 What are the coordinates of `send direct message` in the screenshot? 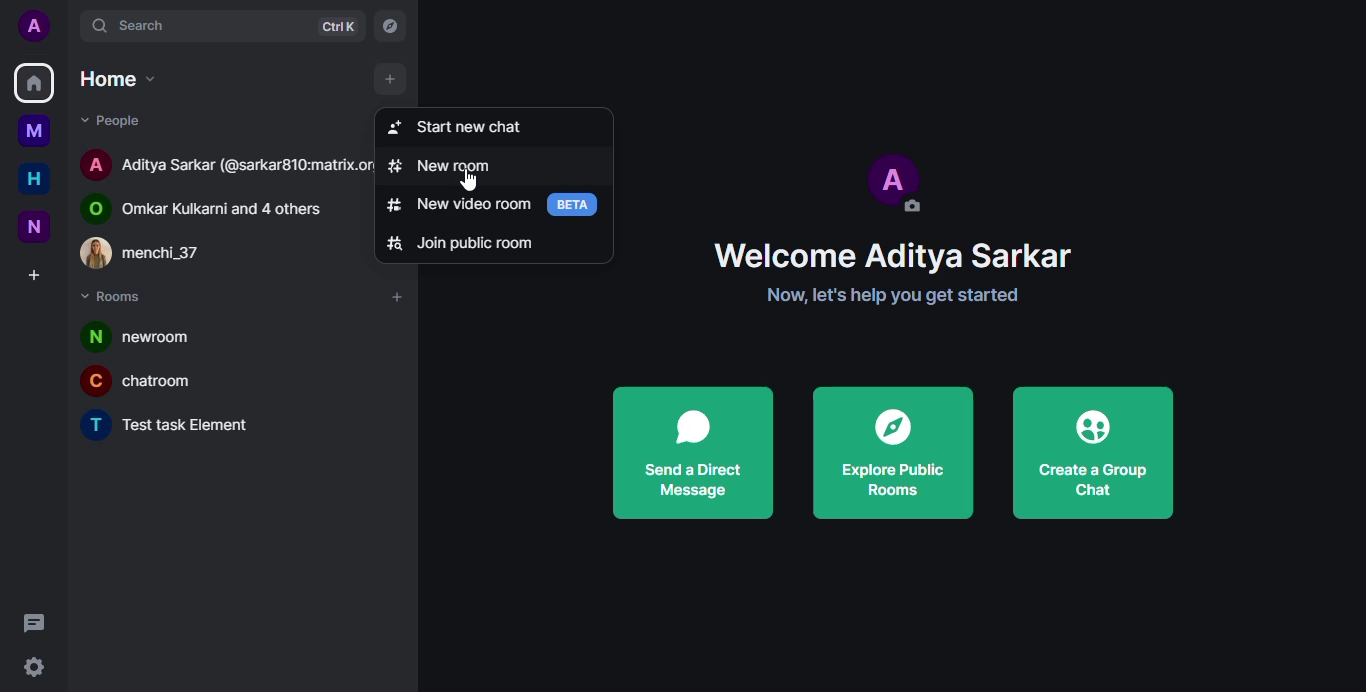 It's located at (690, 452).